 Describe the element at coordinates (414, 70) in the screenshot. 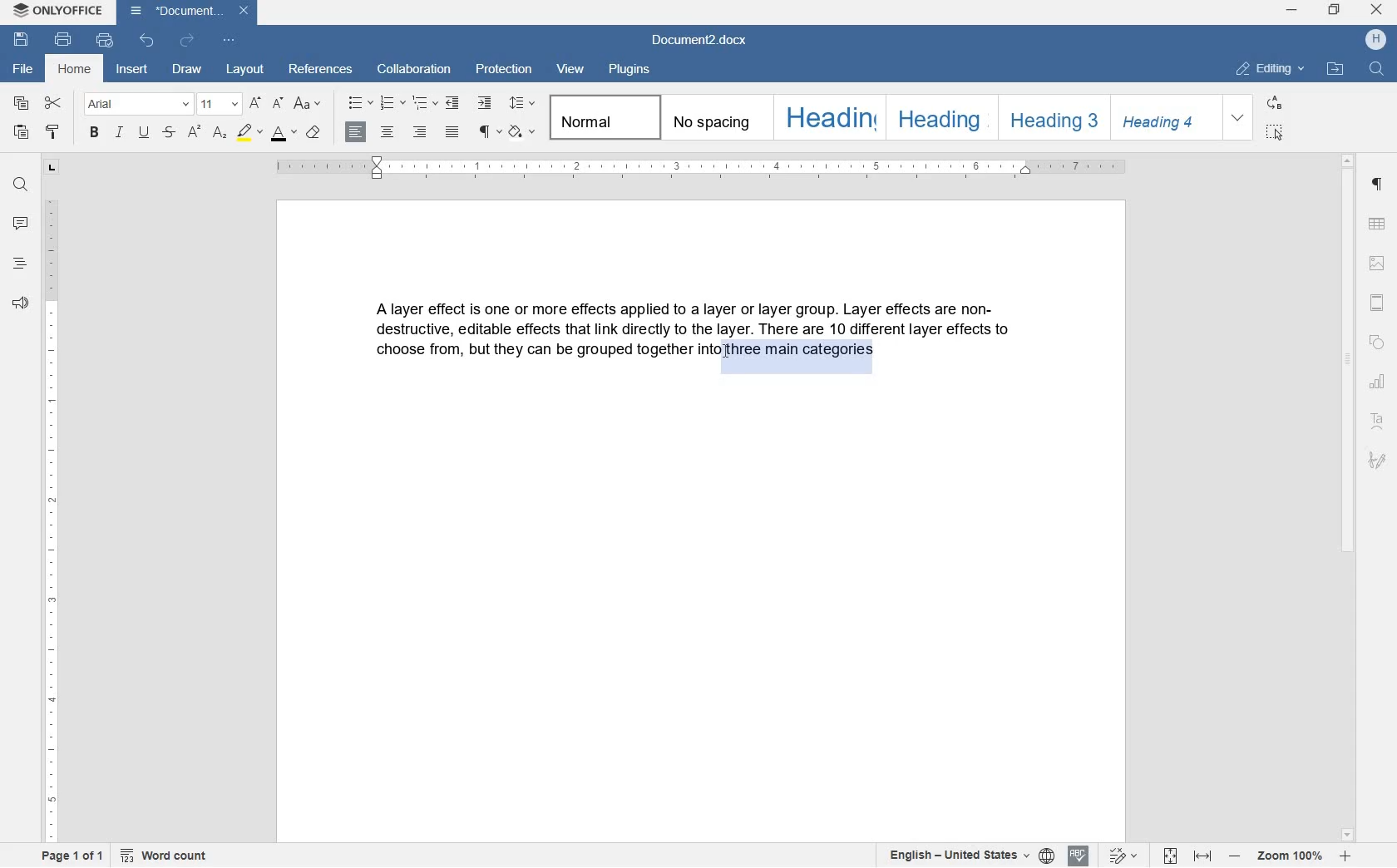

I see `collaboration` at that location.